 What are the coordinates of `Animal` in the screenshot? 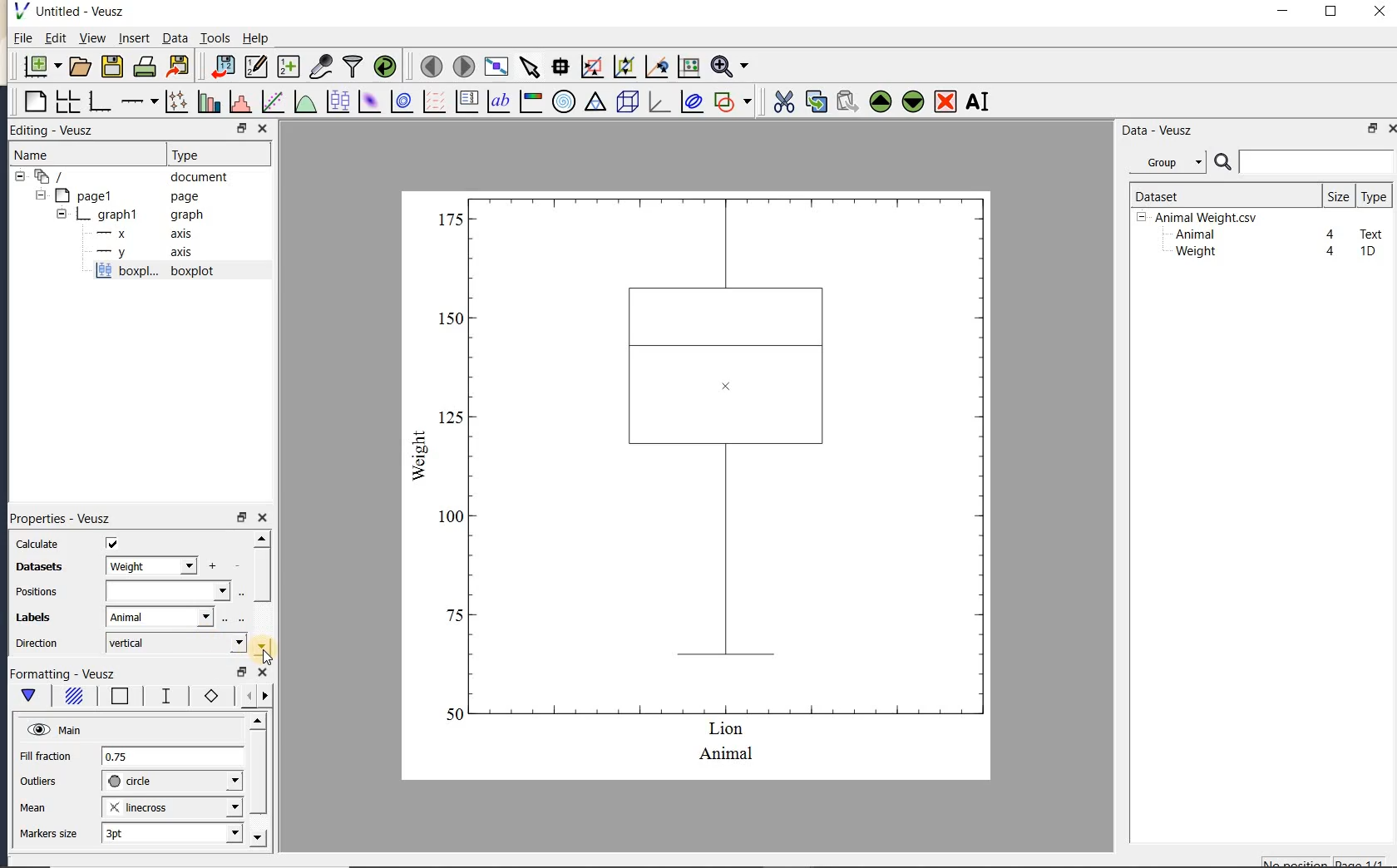 It's located at (1193, 235).